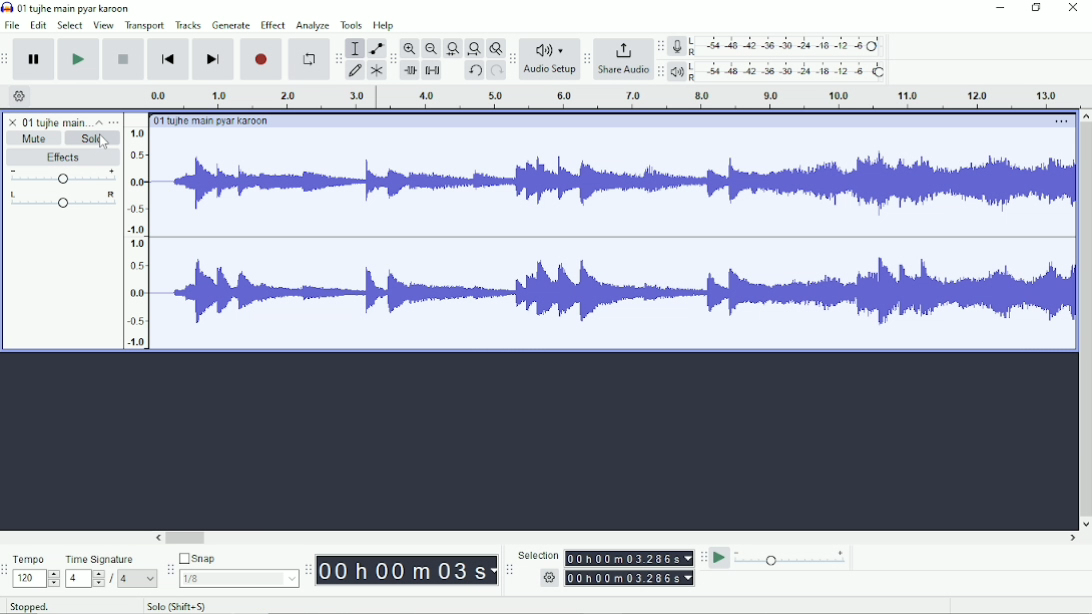  What do you see at coordinates (232, 25) in the screenshot?
I see `Generate` at bounding box center [232, 25].